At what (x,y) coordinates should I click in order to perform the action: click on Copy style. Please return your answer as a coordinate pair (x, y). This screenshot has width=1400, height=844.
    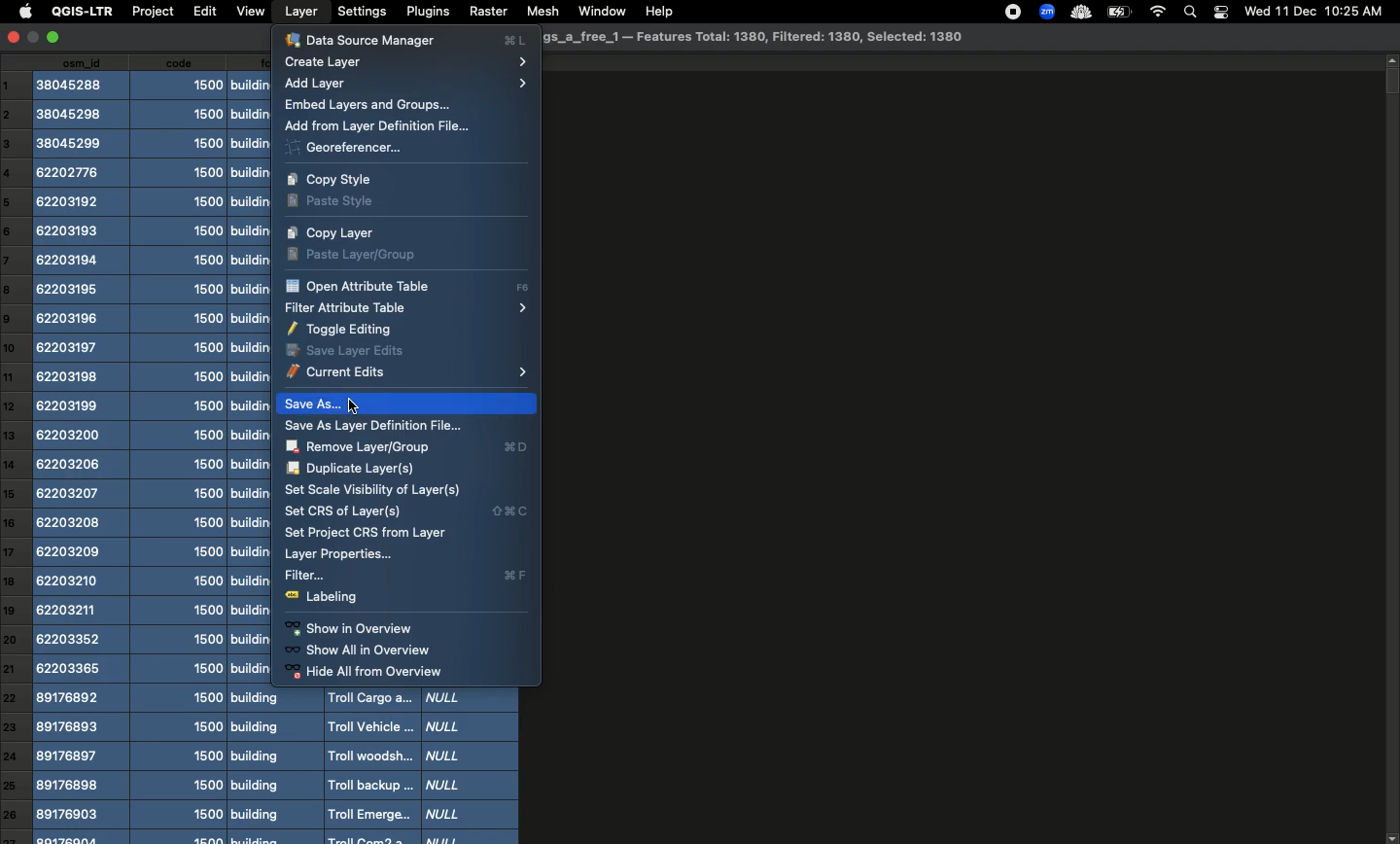
    Looking at the image, I should click on (340, 179).